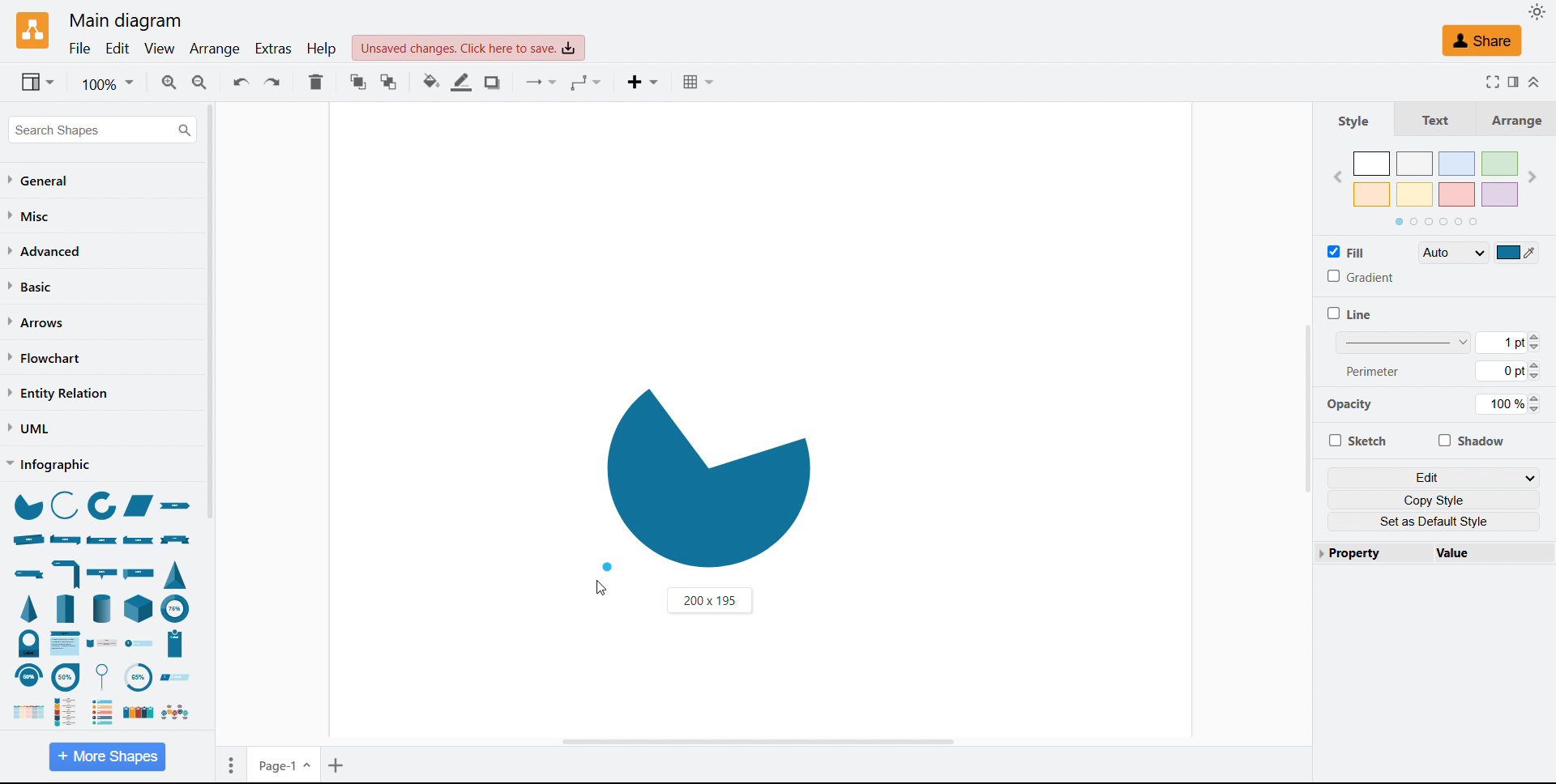 This screenshot has width=1556, height=784. Describe the element at coordinates (242, 81) in the screenshot. I see `Undo ` at that location.